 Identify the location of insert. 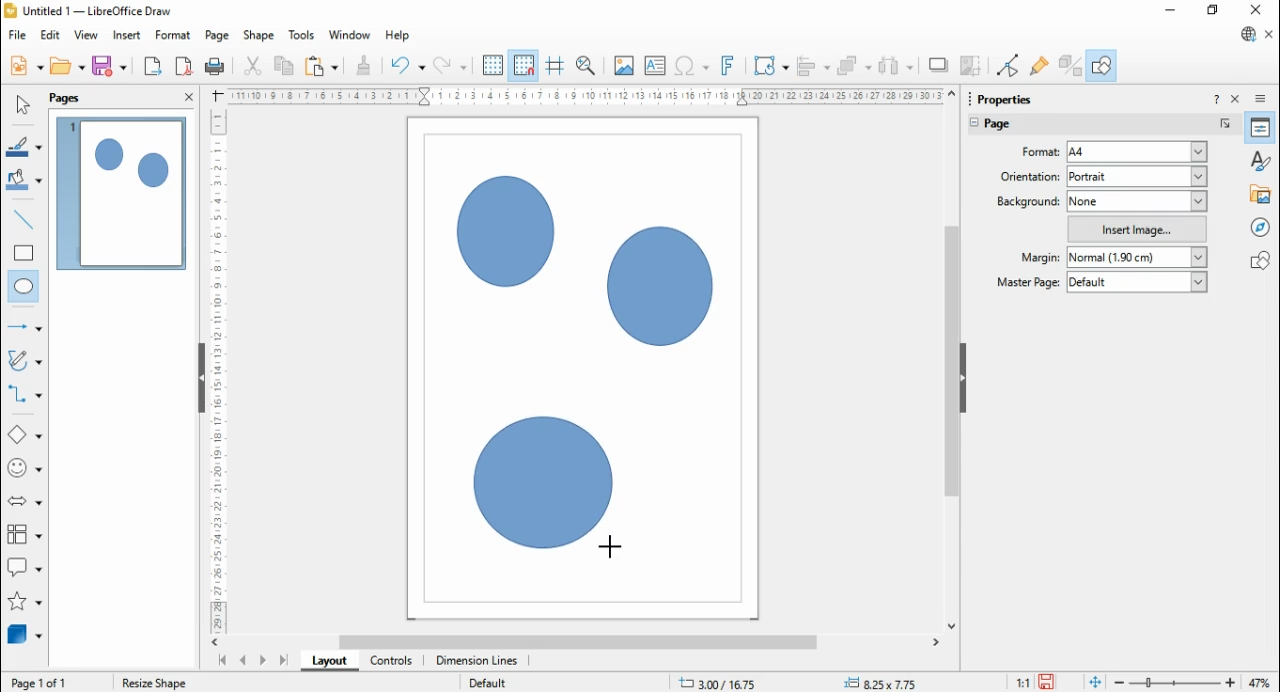
(126, 36).